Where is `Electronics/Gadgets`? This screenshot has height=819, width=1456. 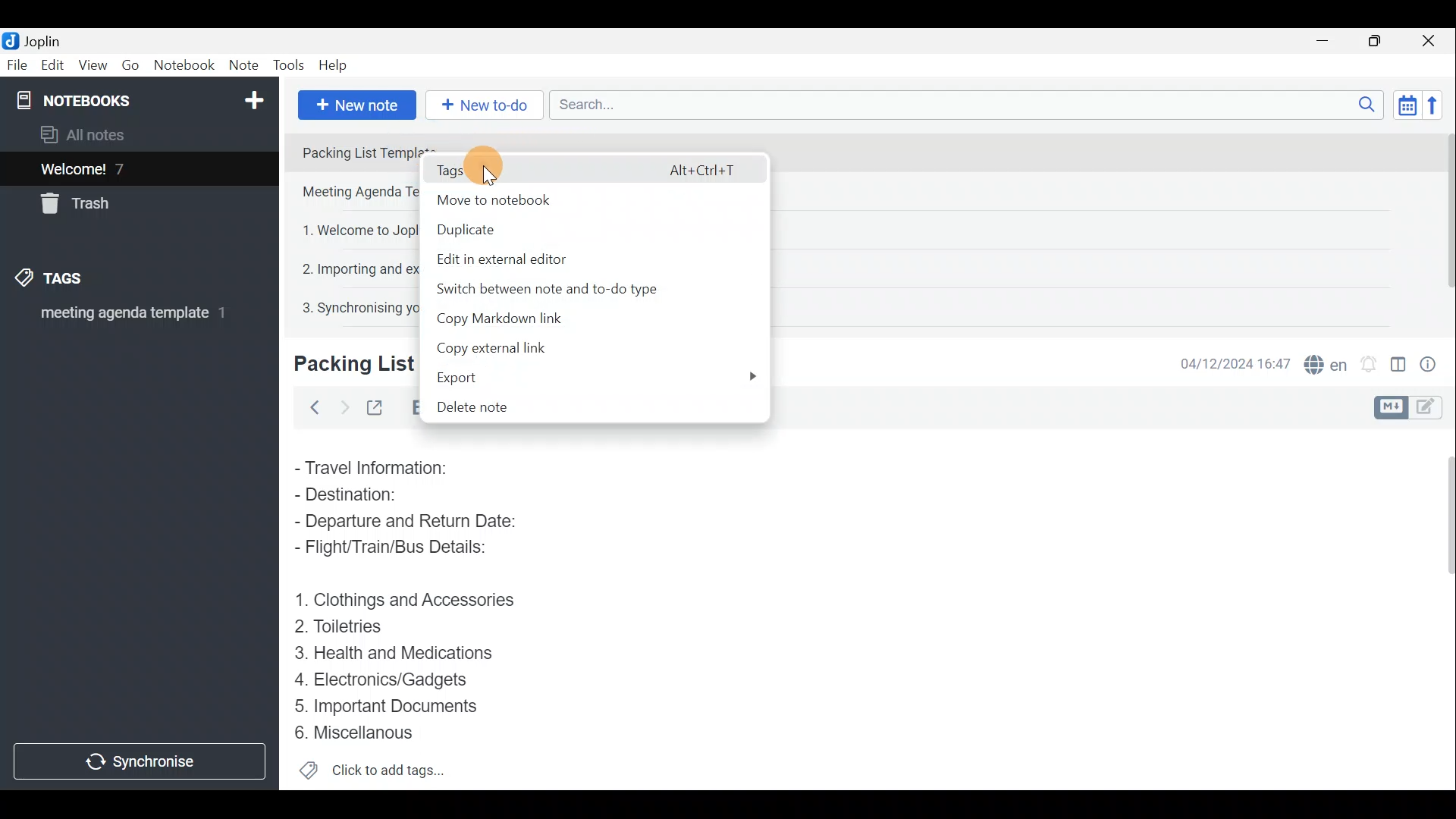
Electronics/Gadgets is located at coordinates (388, 679).